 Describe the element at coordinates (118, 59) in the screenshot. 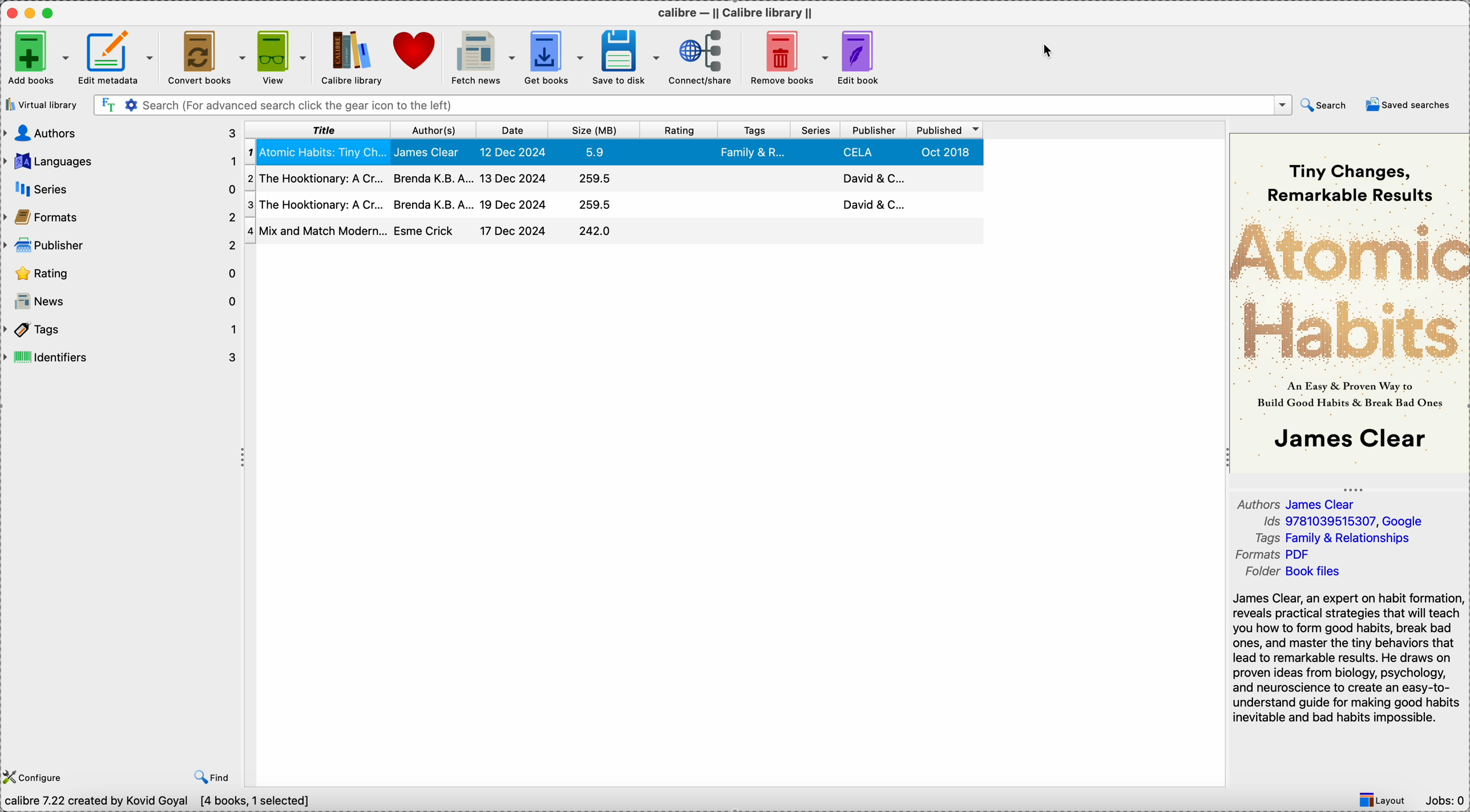

I see `edit metadata` at that location.